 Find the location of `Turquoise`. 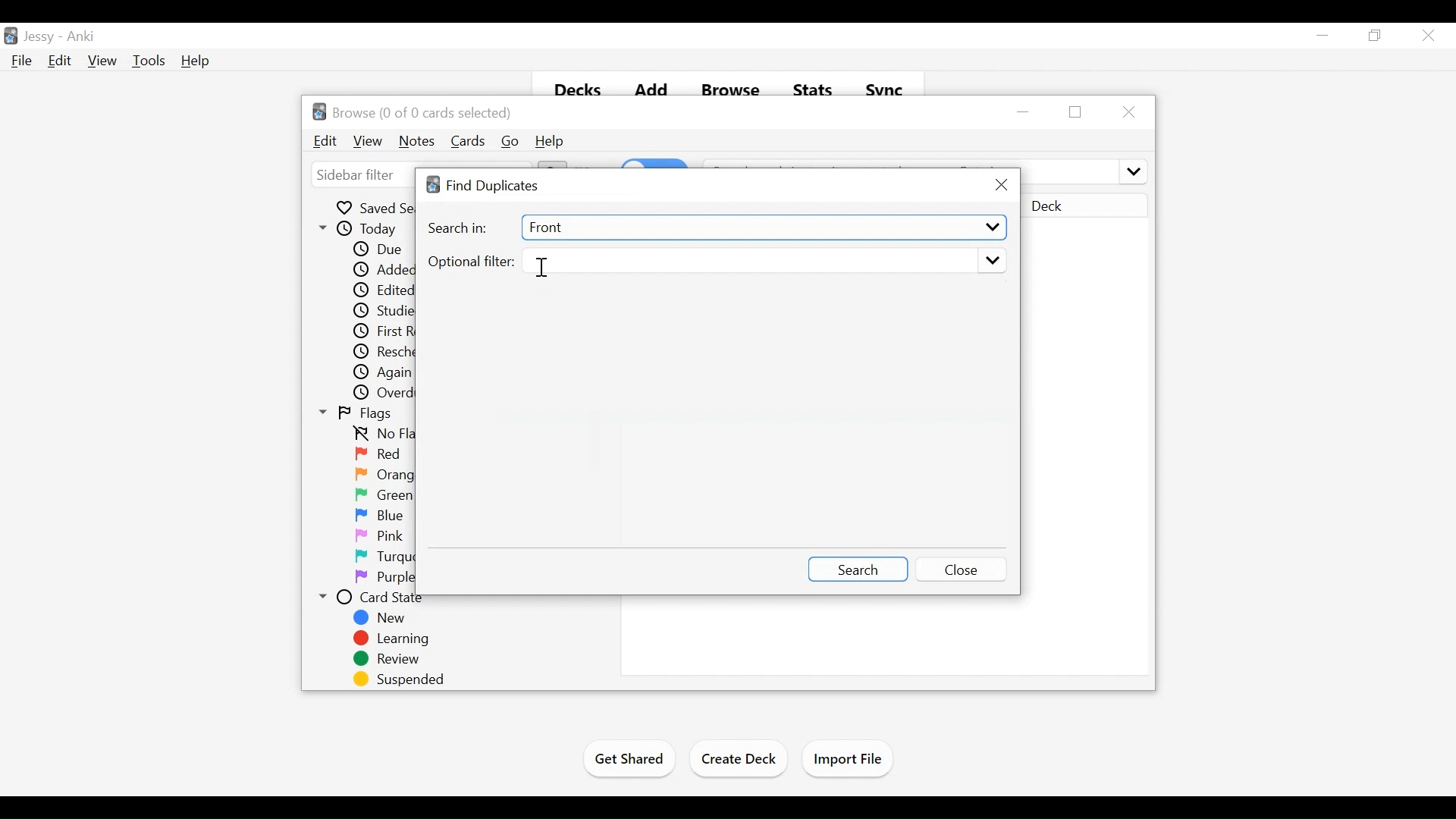

Turquoise is located at coordinates (403, 557).